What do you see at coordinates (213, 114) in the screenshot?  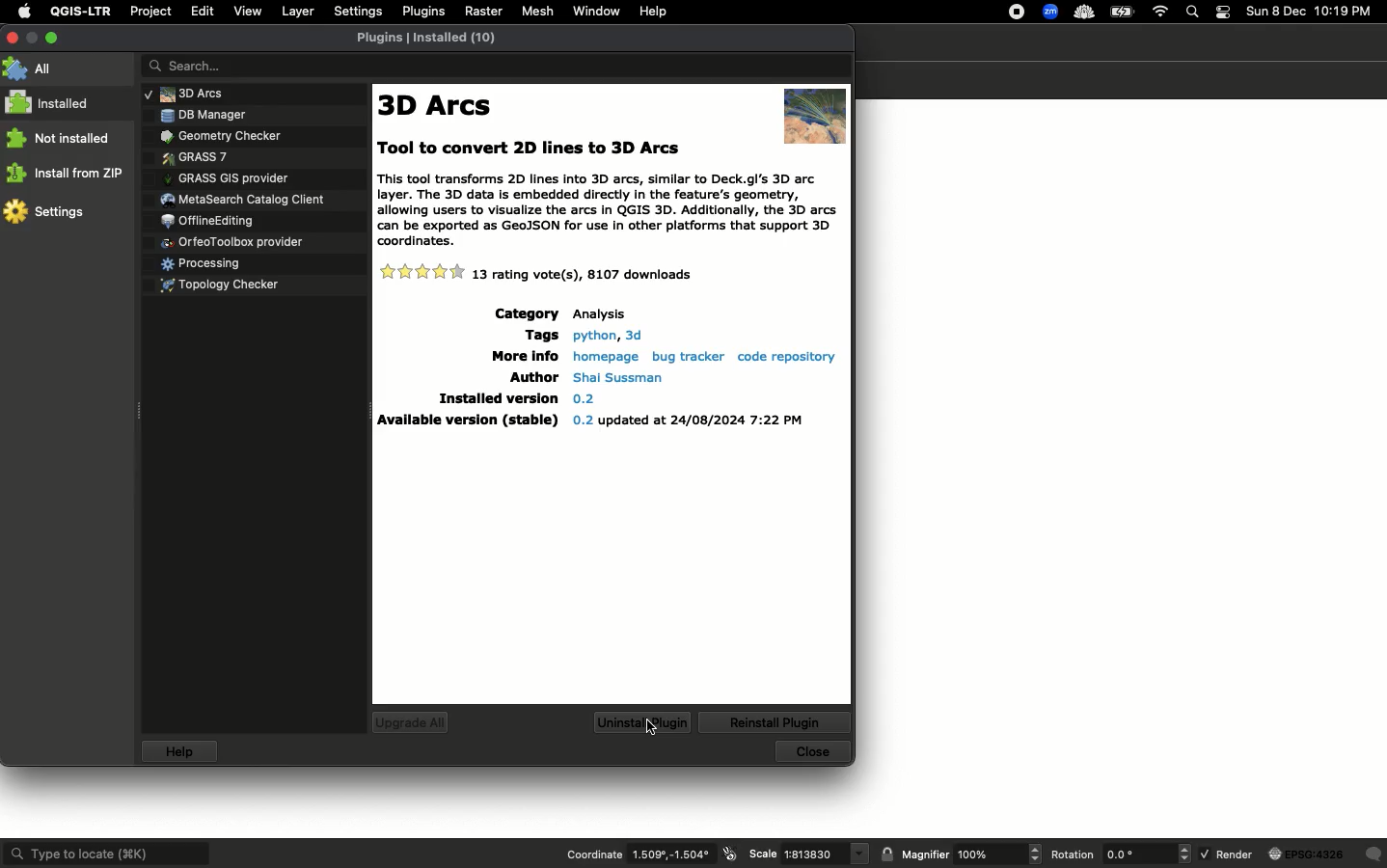 I see `Plugins` at bounding box center [213, 114].